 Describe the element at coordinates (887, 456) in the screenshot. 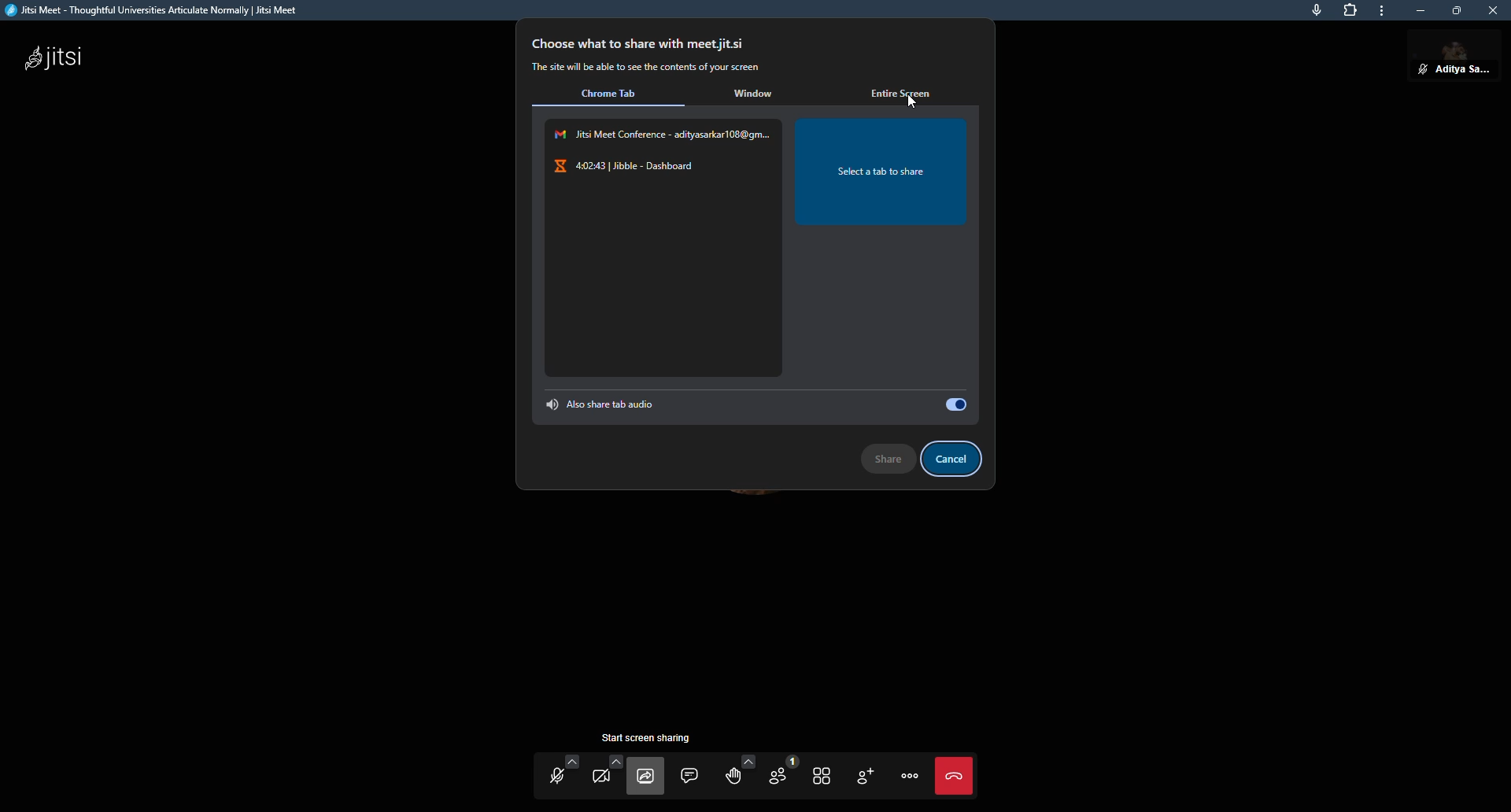

I see `share` at that location.